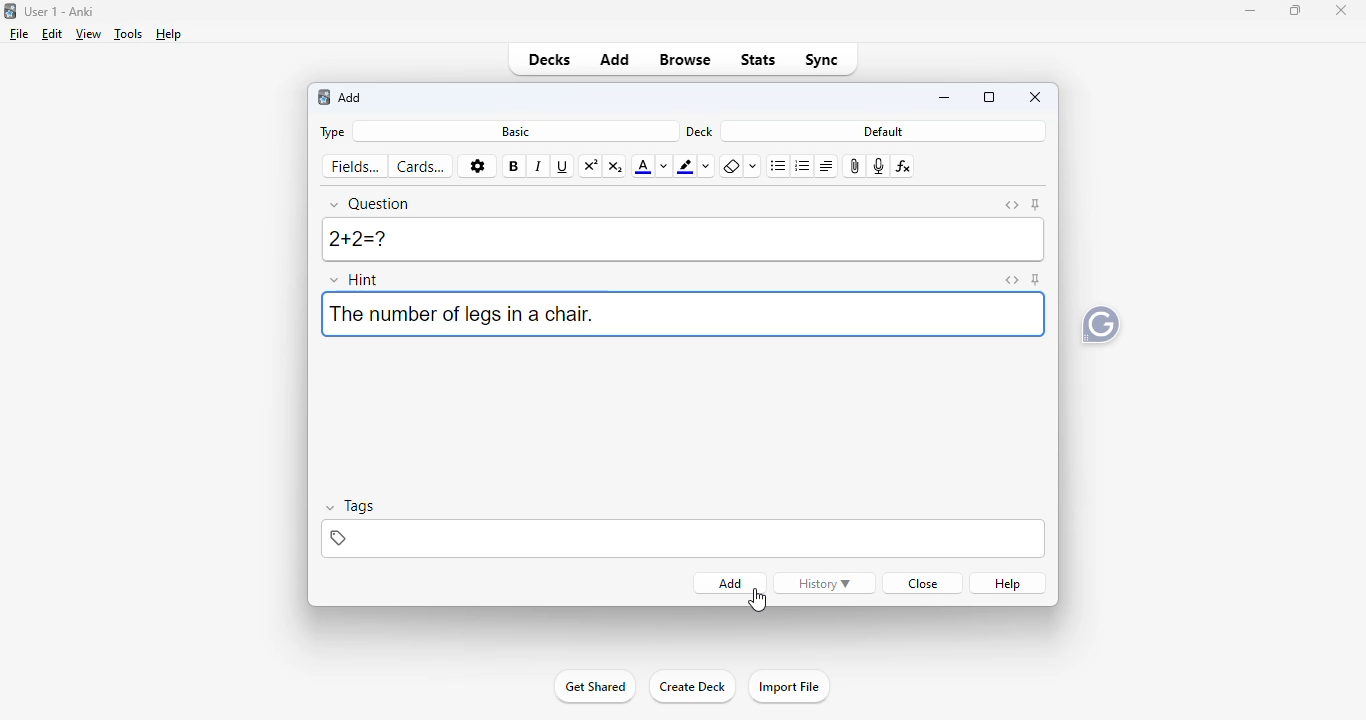 The image size is (1366, 720). Describe the element at coordinates (827, 166) in the screenshot. I see `alignment` at that location.